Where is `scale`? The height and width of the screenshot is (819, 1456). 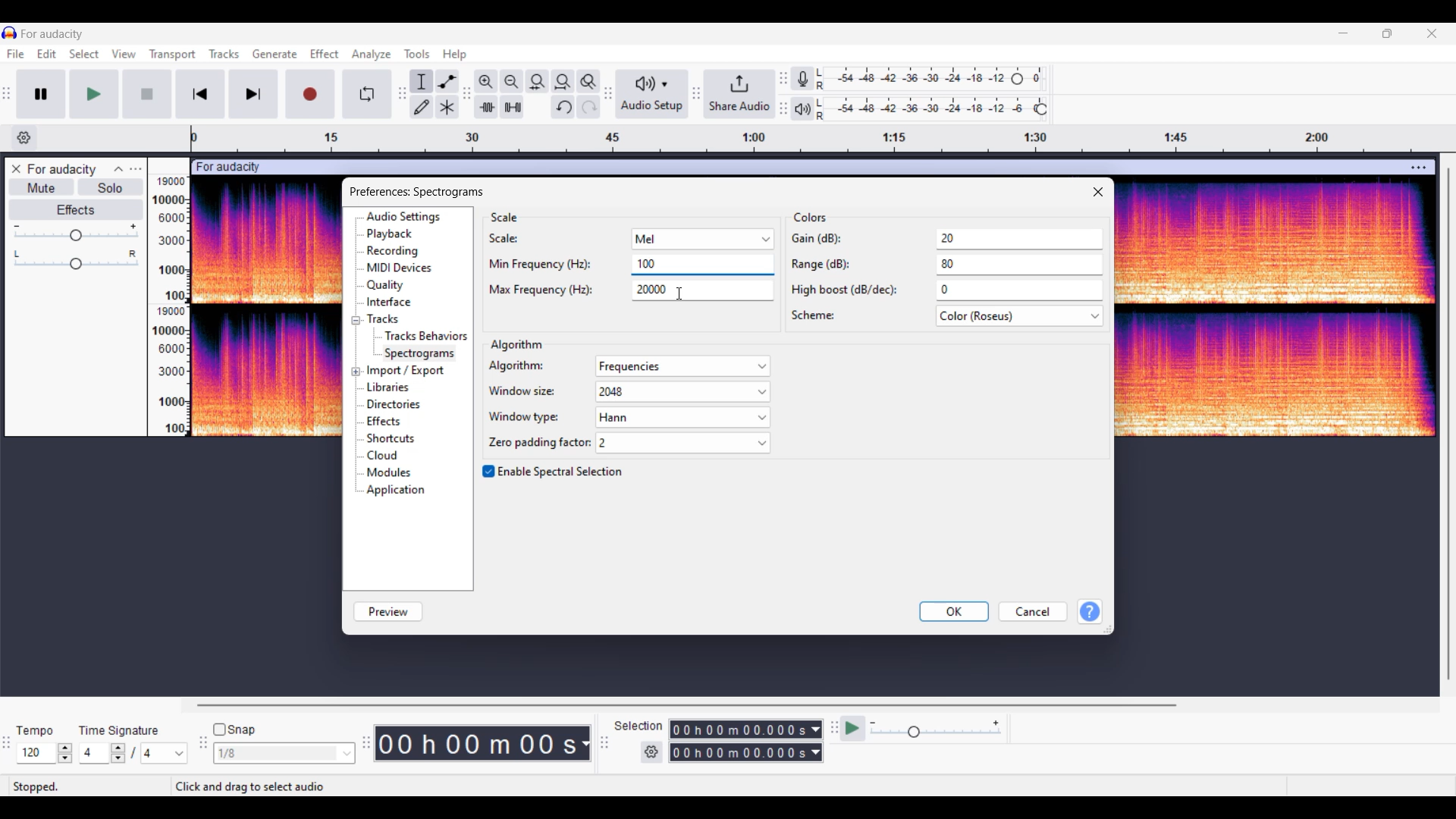
scale is located at coordinates (633, 240).